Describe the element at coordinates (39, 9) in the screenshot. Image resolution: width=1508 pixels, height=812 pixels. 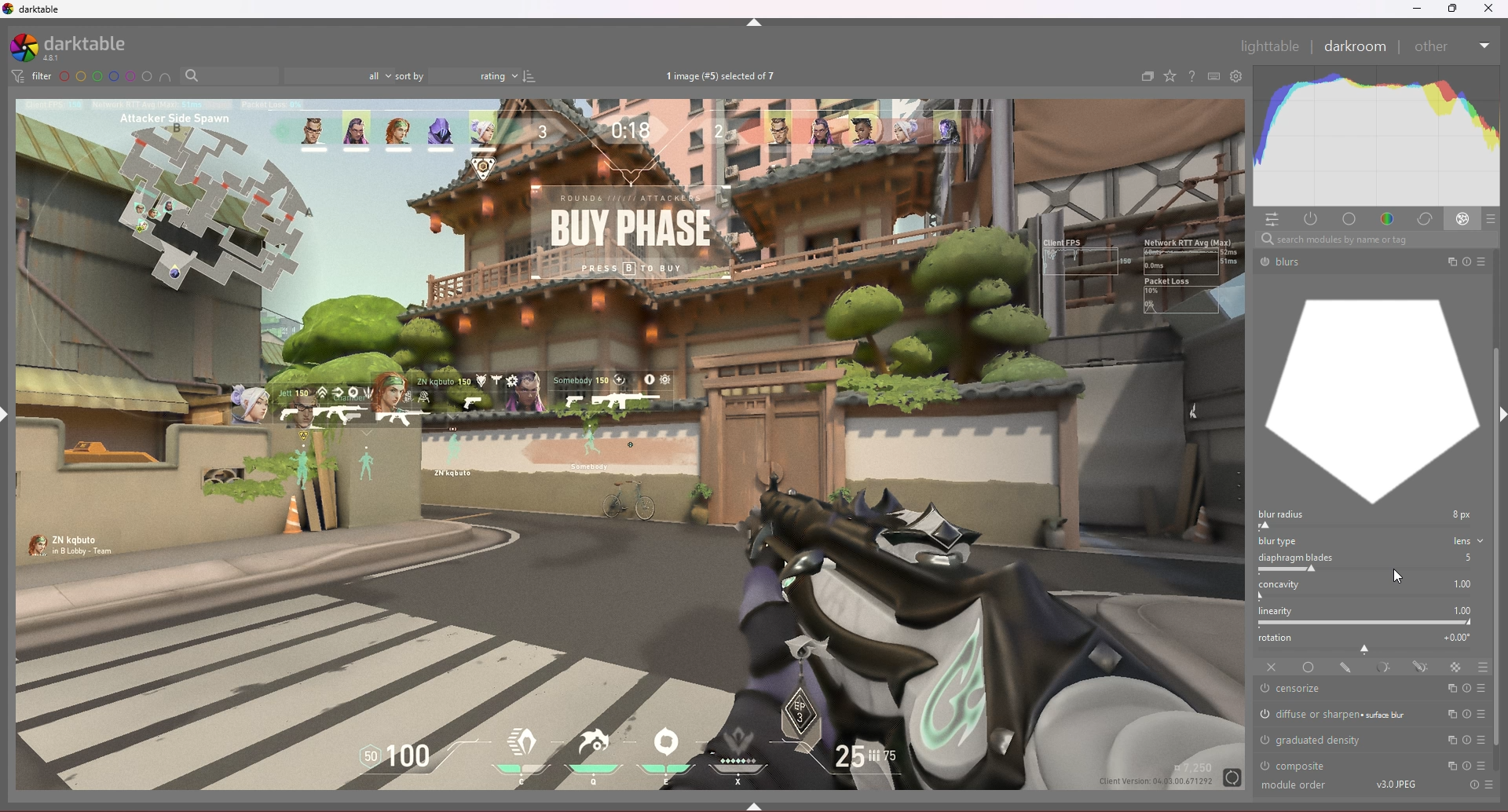
I see `darktable` at that location.